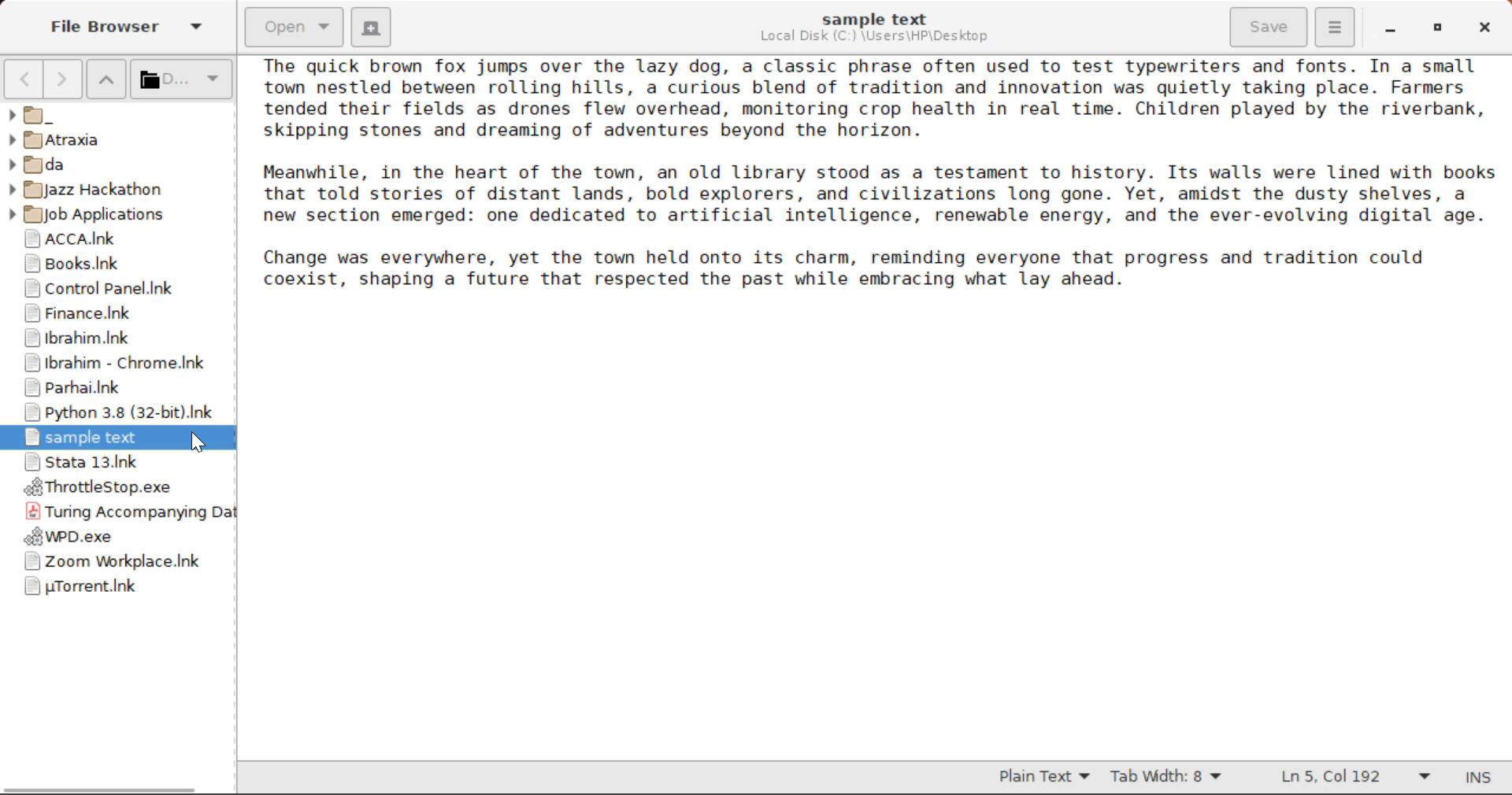  What do you see at coordinates (874, 18) in the screenshot?
I see `sample text File Name` at bounding box center [874, 18].